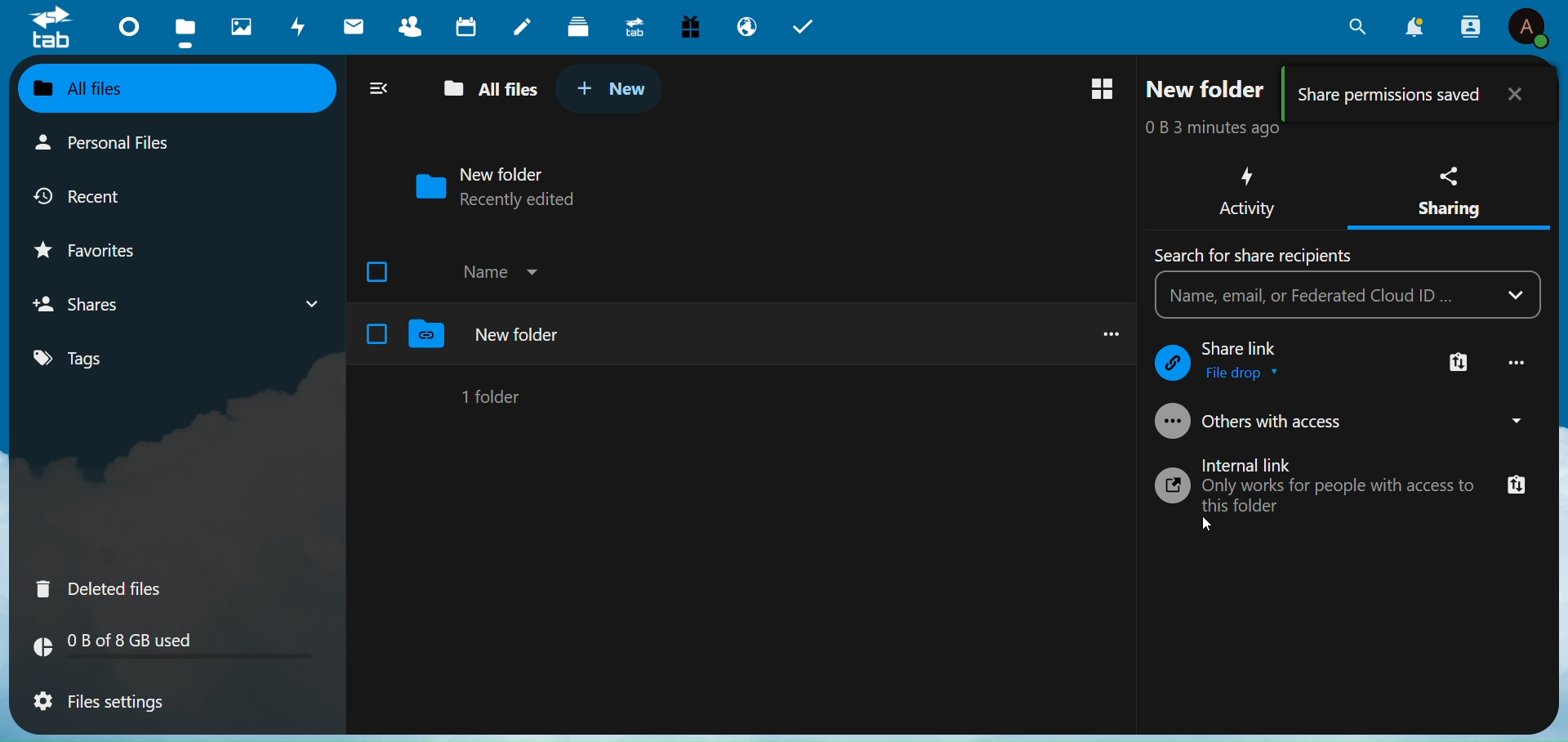 This screenshot has width=1568, height=742. Describe the element at coordinates (809, 25) in the screenshot. I see `Tab` at that location.